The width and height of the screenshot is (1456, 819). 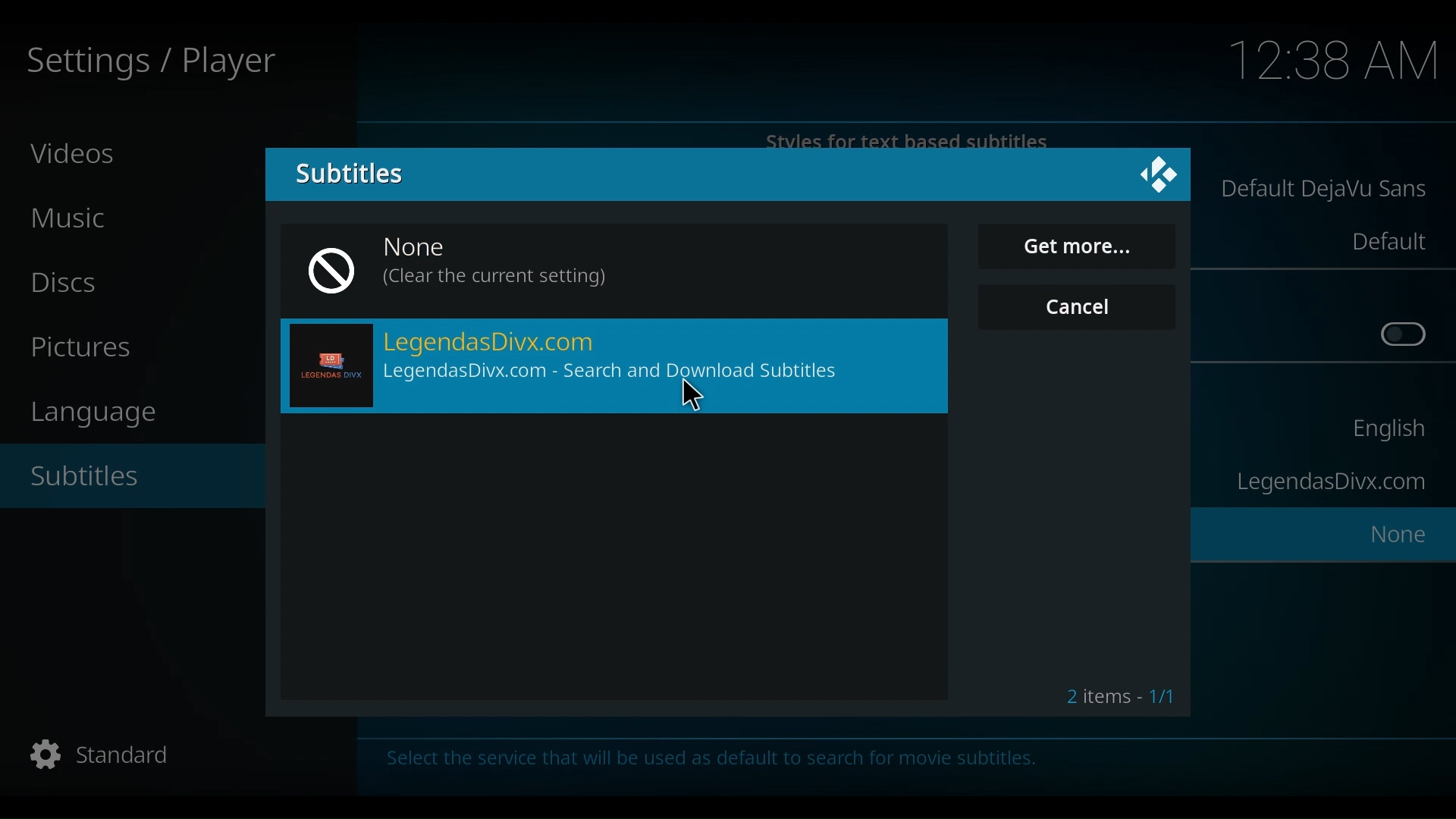 What do you see at coordinates (331, 367) in the screenshot?
I see `lengedas profile` at bounding box center [331, 367].